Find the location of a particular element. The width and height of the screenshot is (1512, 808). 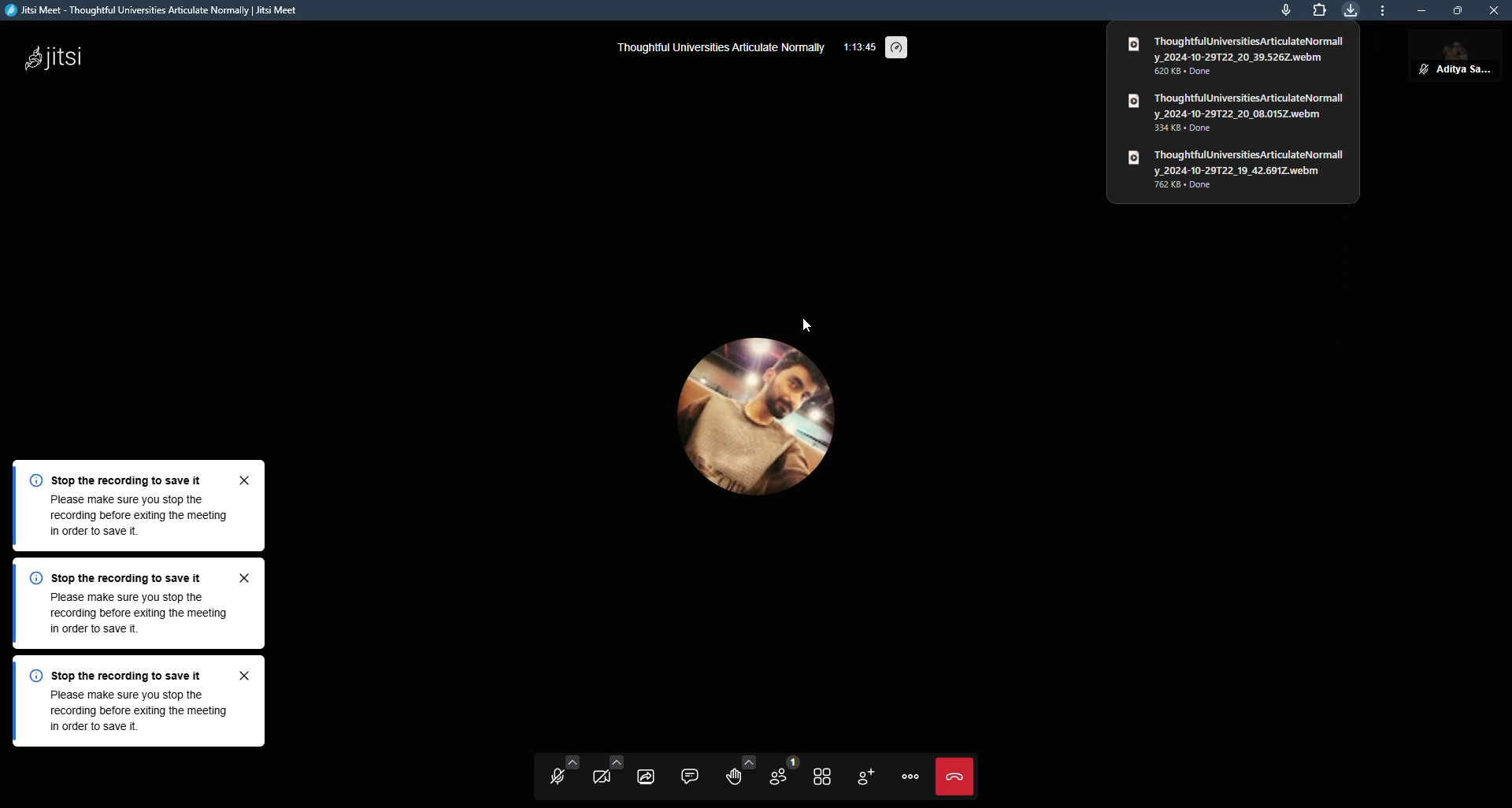

close is located at coordinates (1493, 13).